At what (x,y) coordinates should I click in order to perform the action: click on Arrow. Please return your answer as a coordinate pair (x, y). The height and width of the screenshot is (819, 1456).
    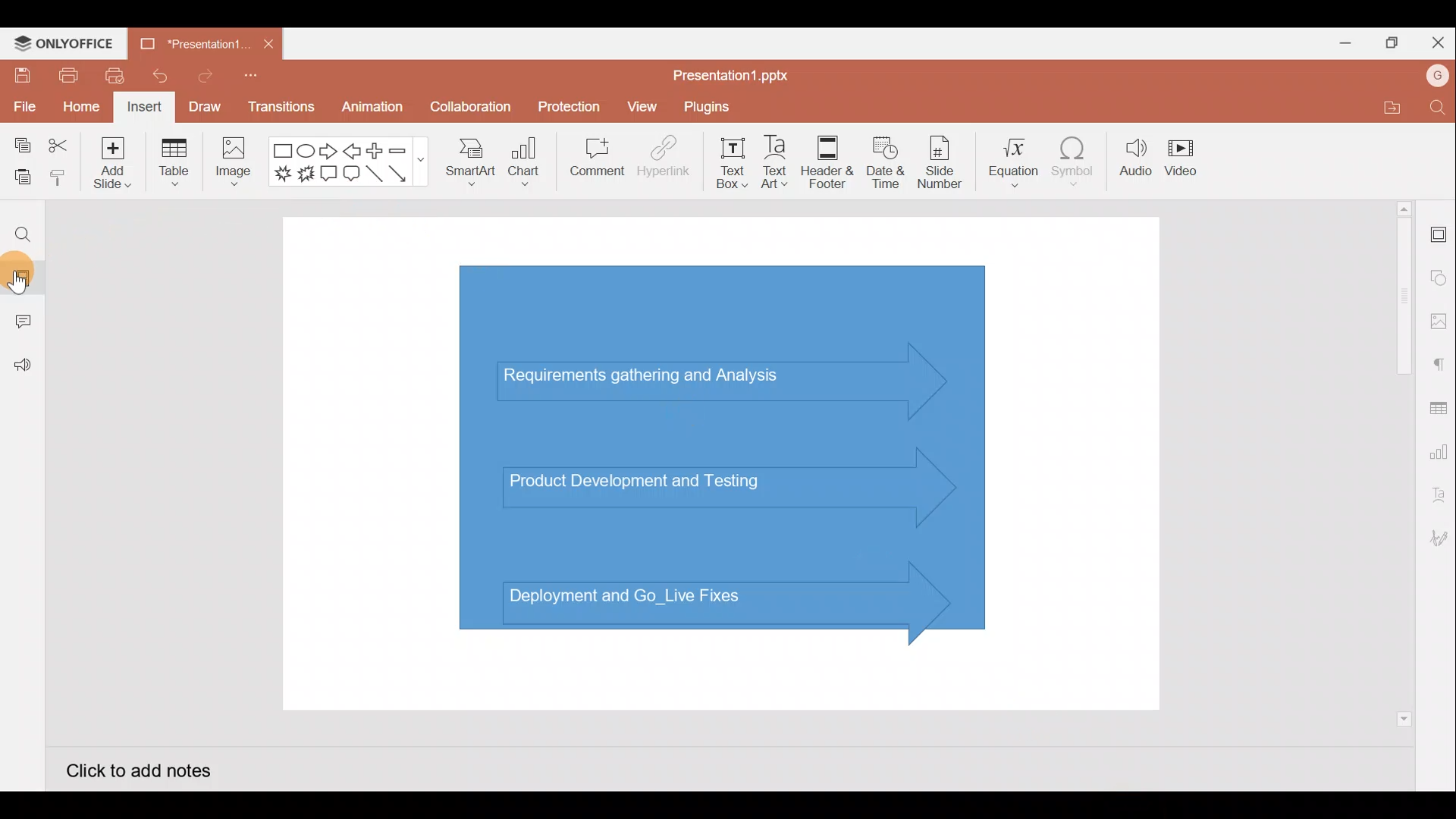
    Looking at the image, I should click on (401, 174).